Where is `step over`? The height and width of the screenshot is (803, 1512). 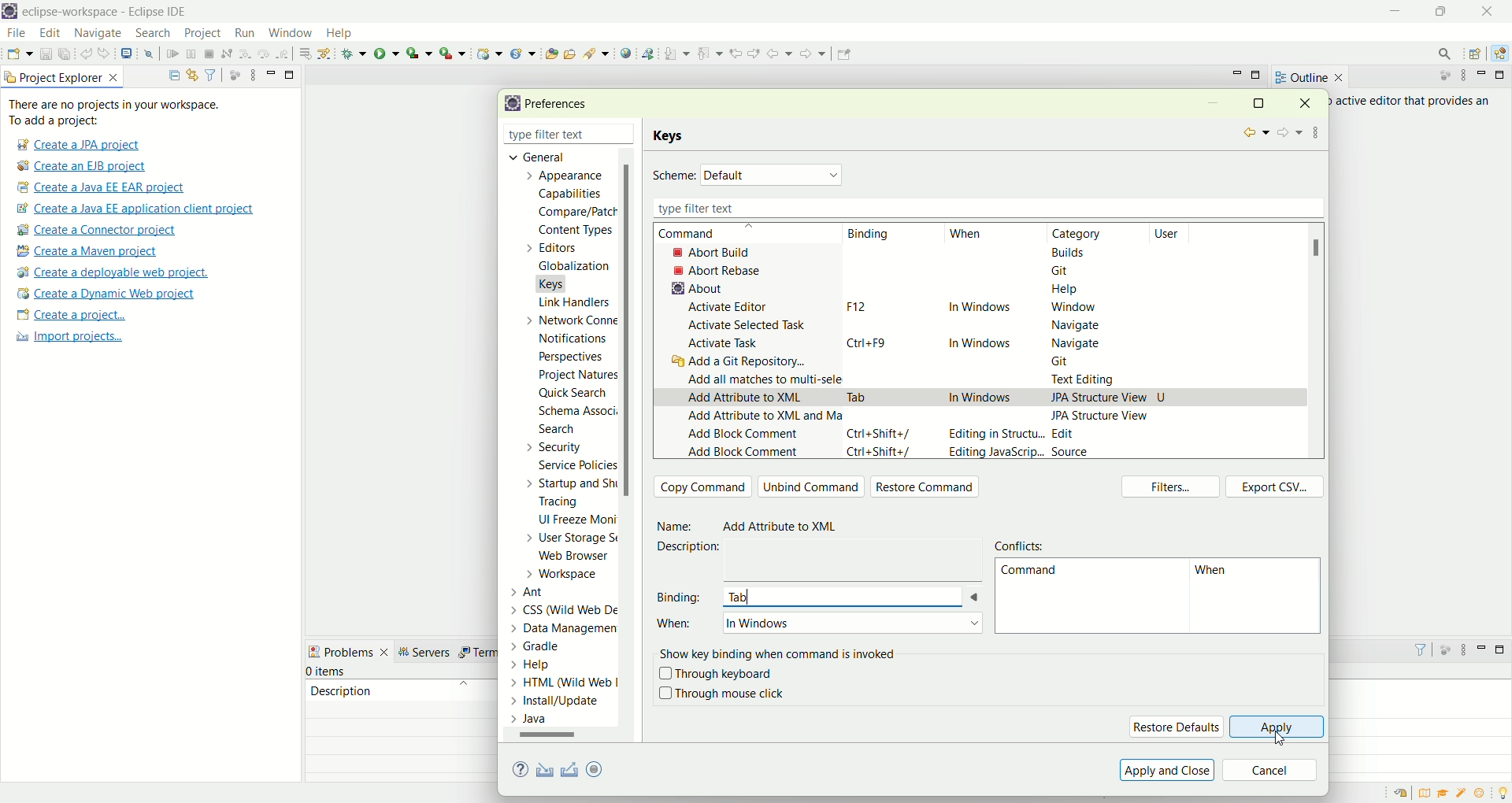
step over is located at coordinates (264, 53).